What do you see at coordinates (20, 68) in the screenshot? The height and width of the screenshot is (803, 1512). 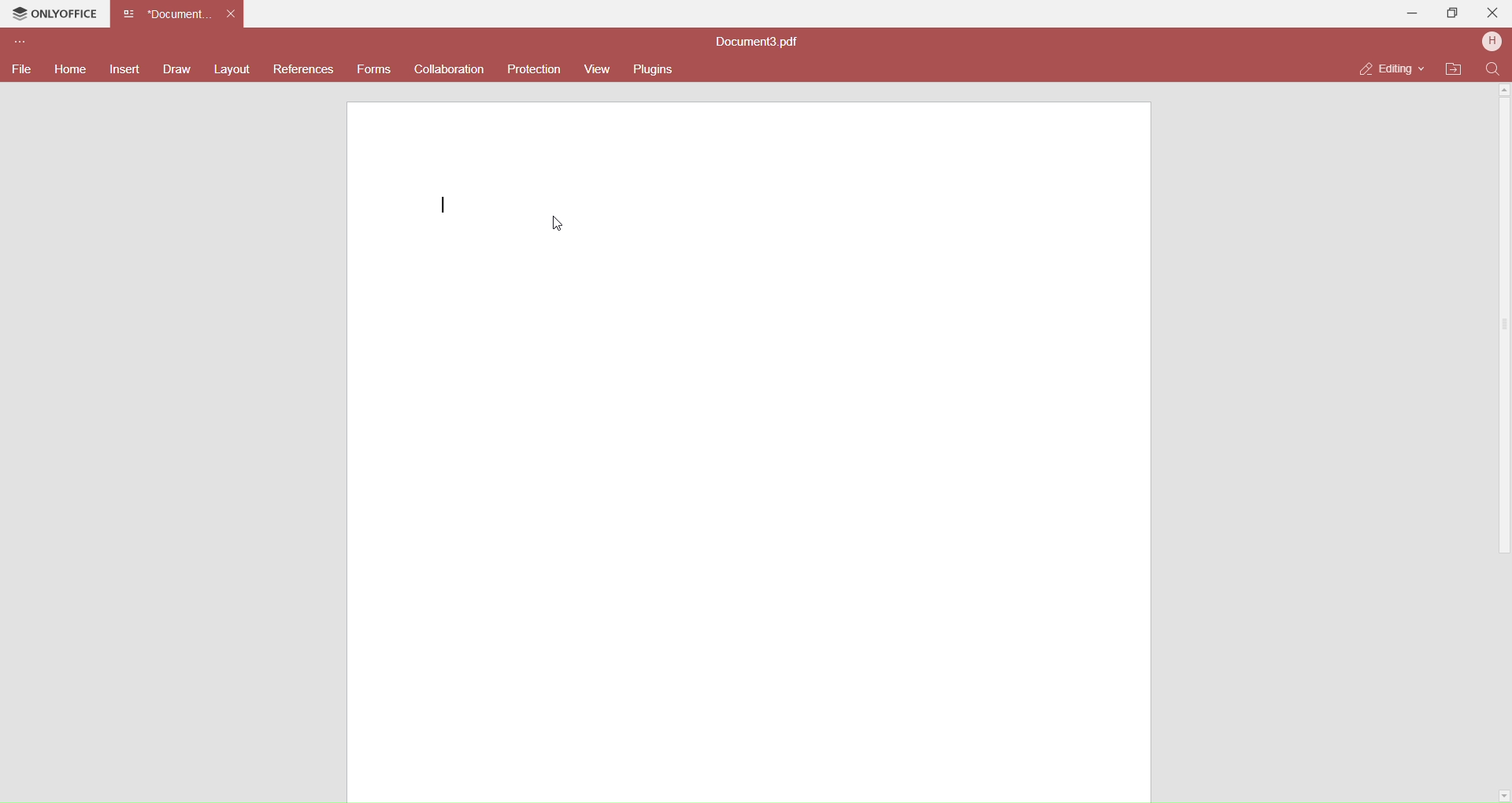 I see `File` at bounding box center [20, 68].